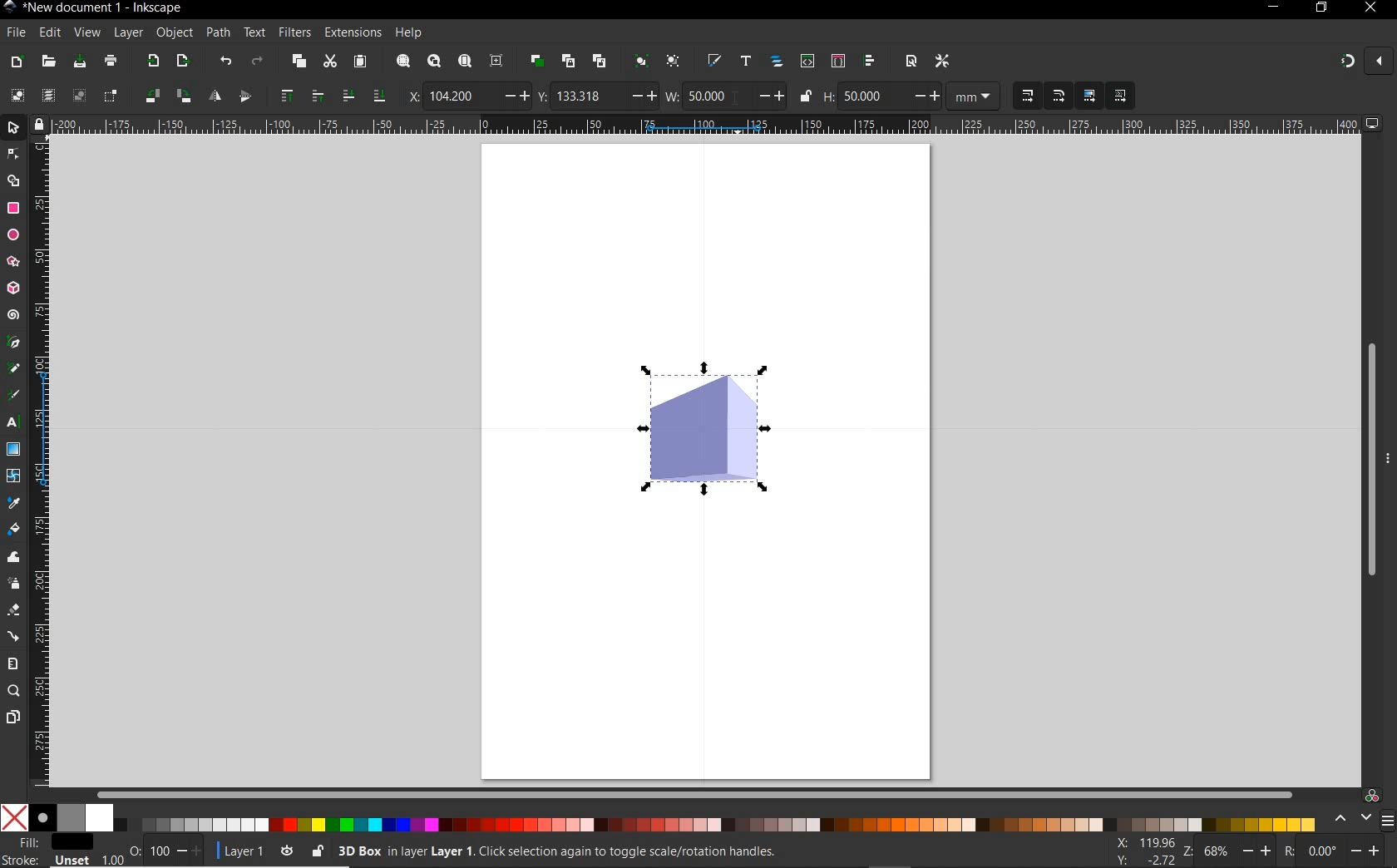 The height and width of the screenshot is (868, 1397). Describe the element at coordinates (13, 397) in the screenshot. I see `calligraphy tool` at that location.